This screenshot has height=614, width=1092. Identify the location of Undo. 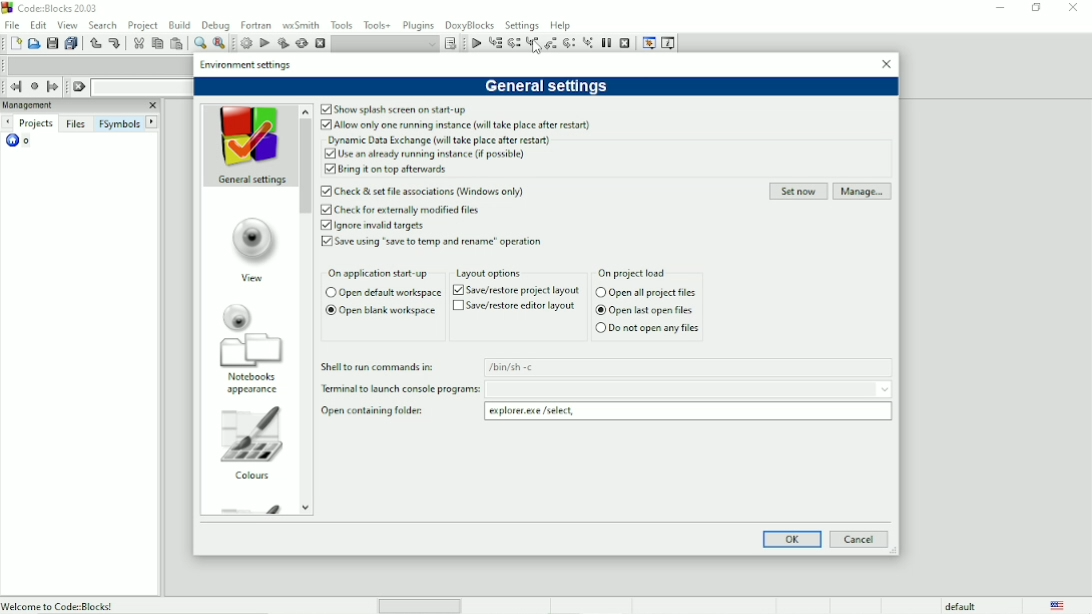
(93, 43).